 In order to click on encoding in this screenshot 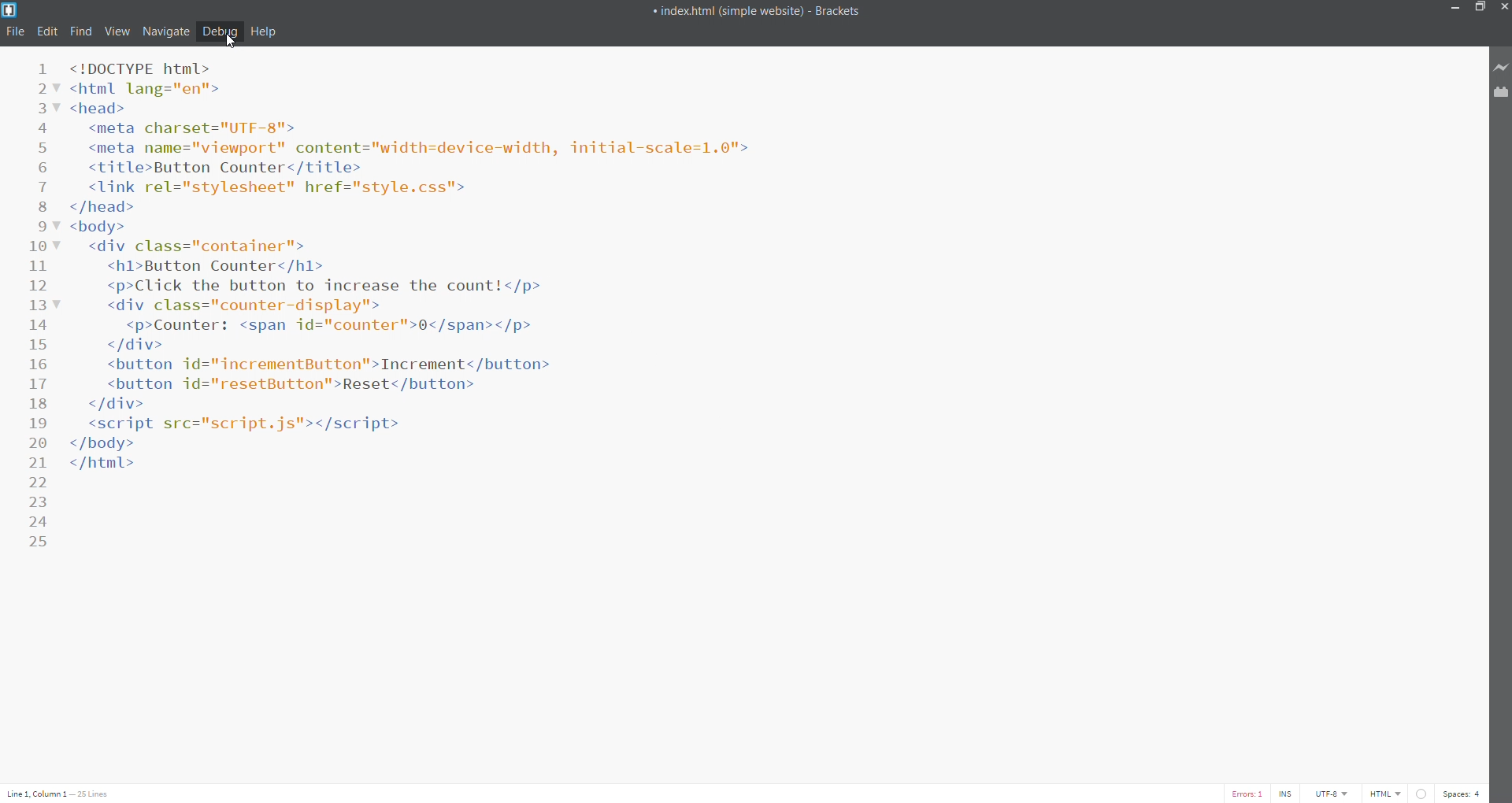, I will do `click(1336, 794)`.